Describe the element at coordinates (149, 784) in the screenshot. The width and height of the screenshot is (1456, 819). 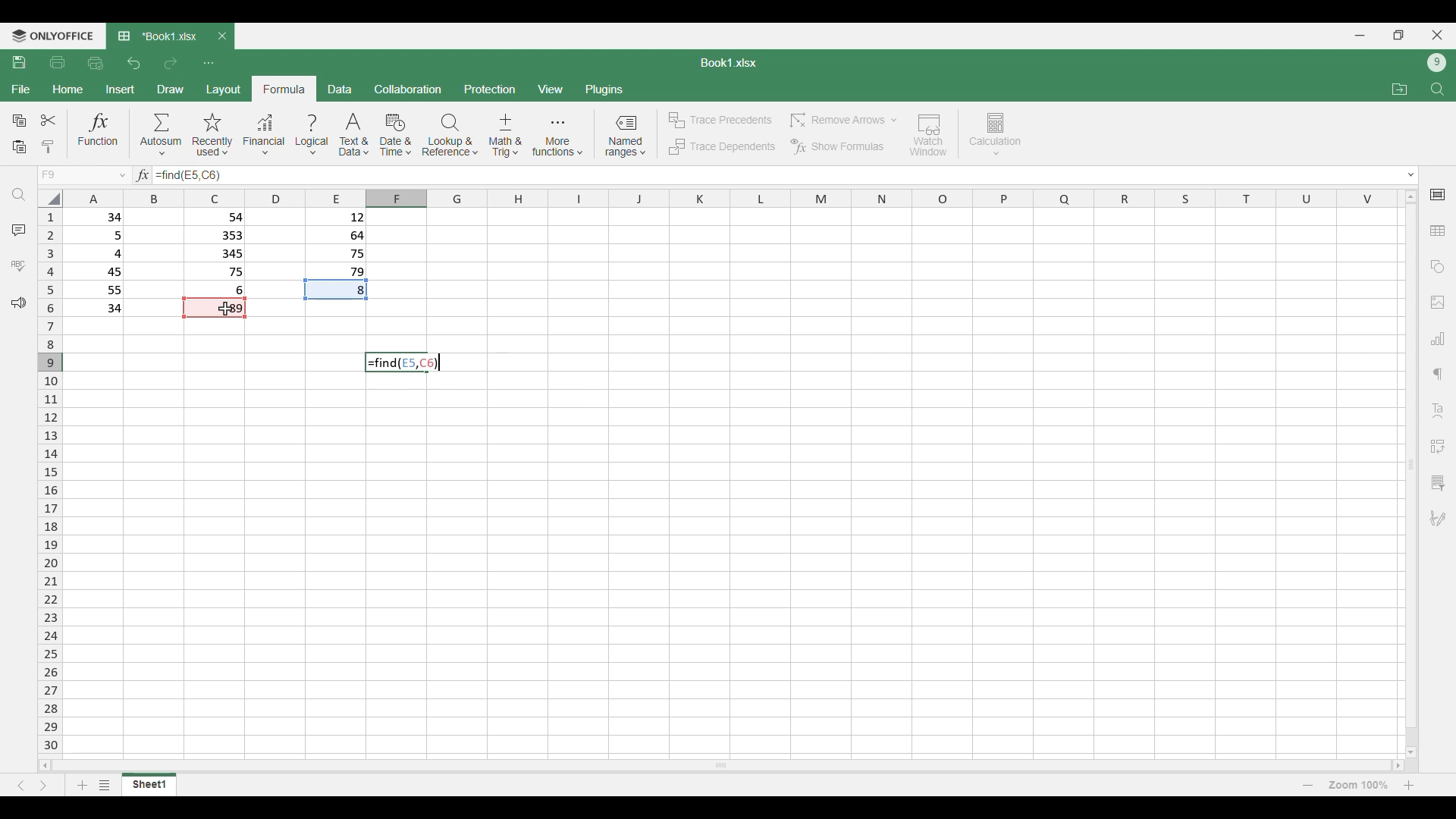
I see `Current sheet` at that location.